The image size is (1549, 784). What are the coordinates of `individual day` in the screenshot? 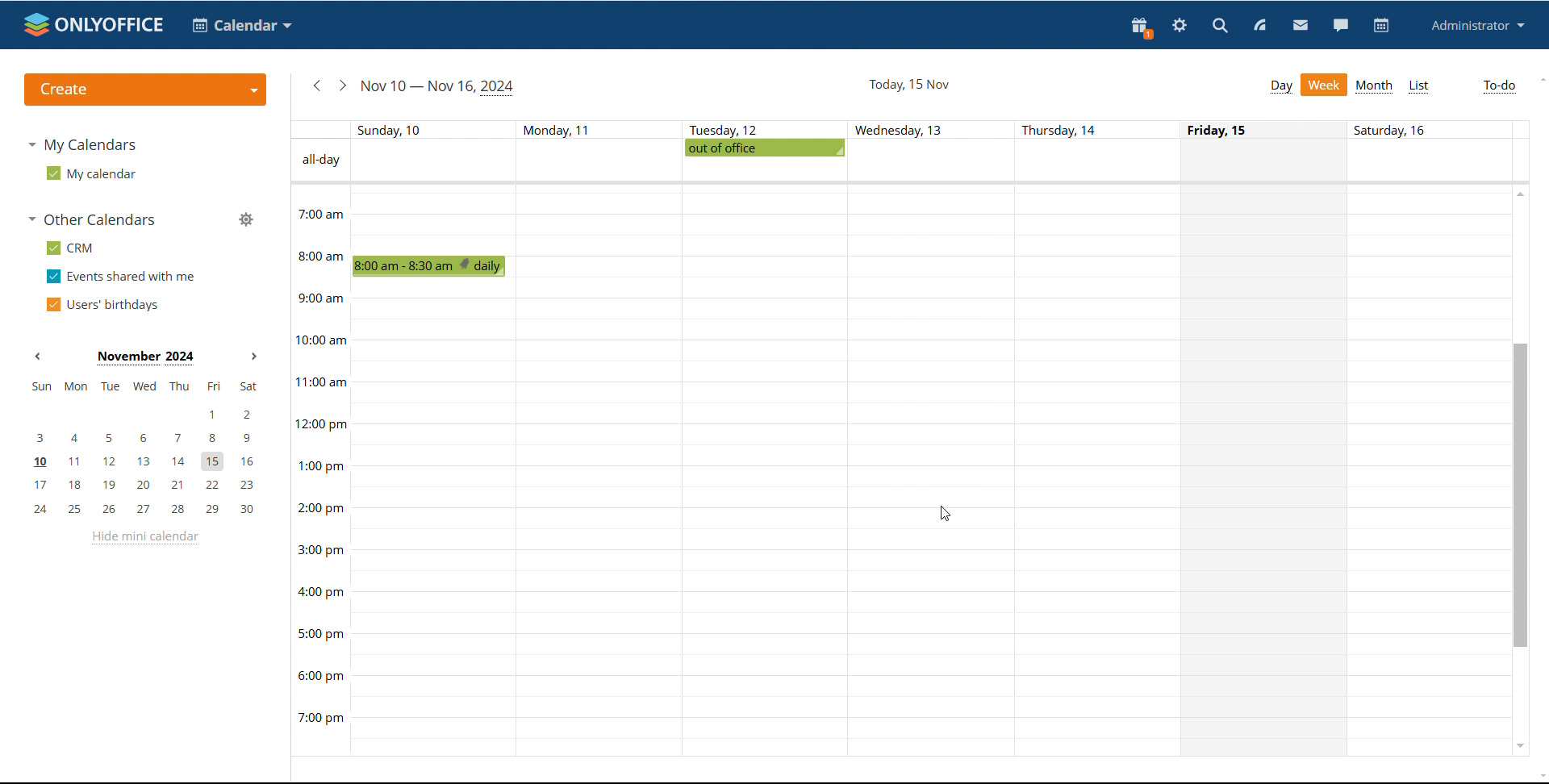 It's located at (399, 129).